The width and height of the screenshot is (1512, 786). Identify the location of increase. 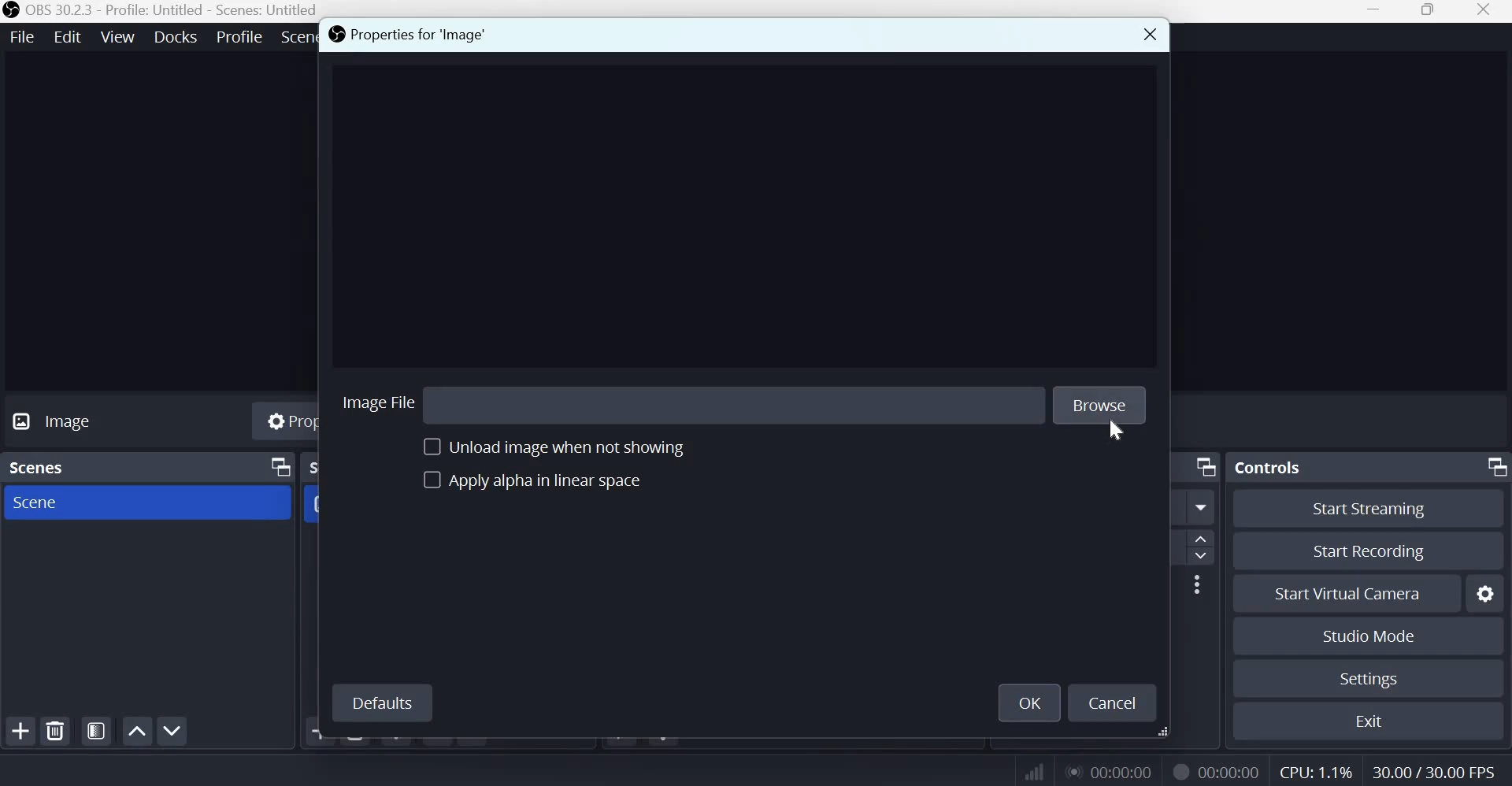
(1206, 539).